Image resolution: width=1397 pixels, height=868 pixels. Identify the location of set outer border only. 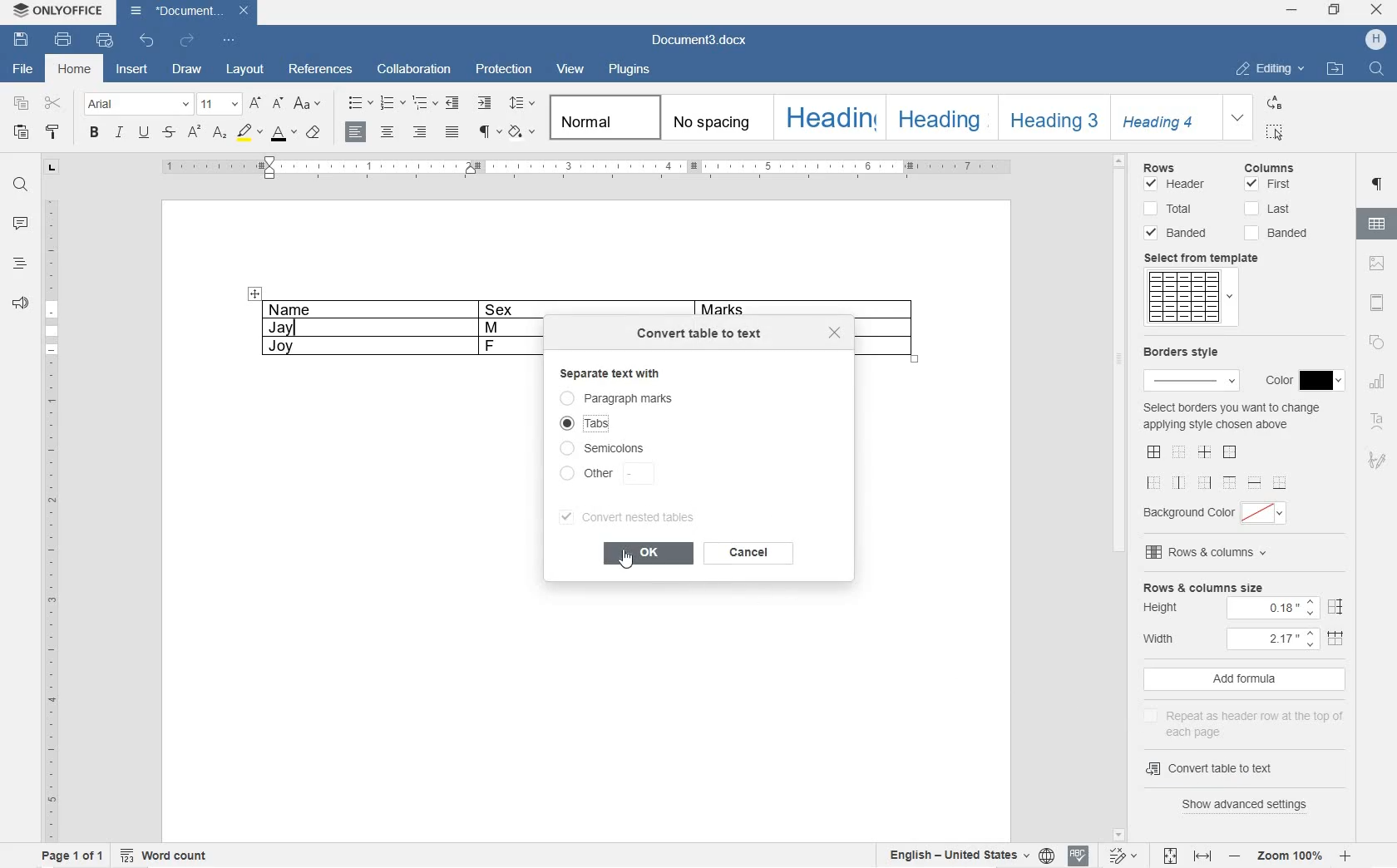
(1230, 452).